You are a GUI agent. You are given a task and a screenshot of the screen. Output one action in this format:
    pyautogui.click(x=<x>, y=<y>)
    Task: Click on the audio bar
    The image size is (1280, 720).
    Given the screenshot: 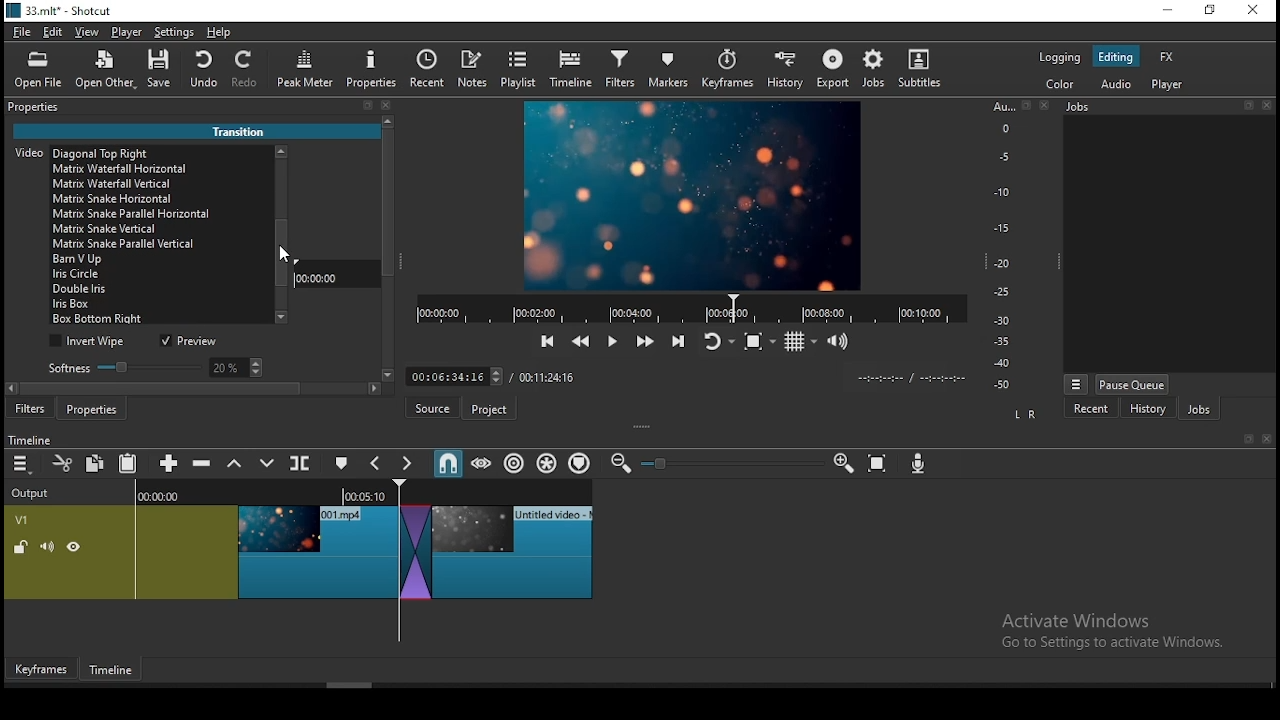 What is the action you would take?
    pyautogui.click(x=1002, y=246)
    